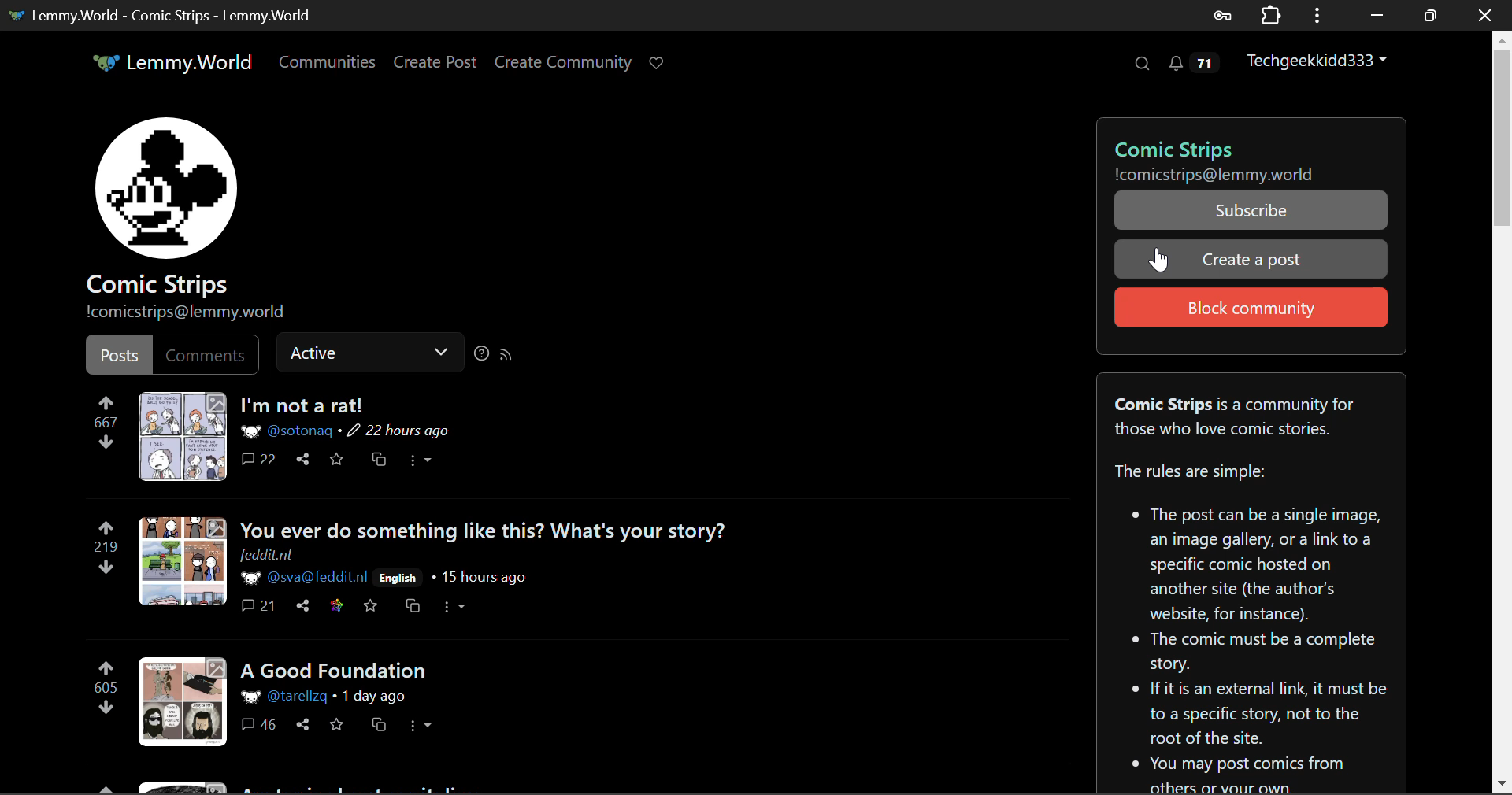  What do you see at coordinates (509, 353) in the screenshot?
I see `RSS` at bounding box center [509, 353].